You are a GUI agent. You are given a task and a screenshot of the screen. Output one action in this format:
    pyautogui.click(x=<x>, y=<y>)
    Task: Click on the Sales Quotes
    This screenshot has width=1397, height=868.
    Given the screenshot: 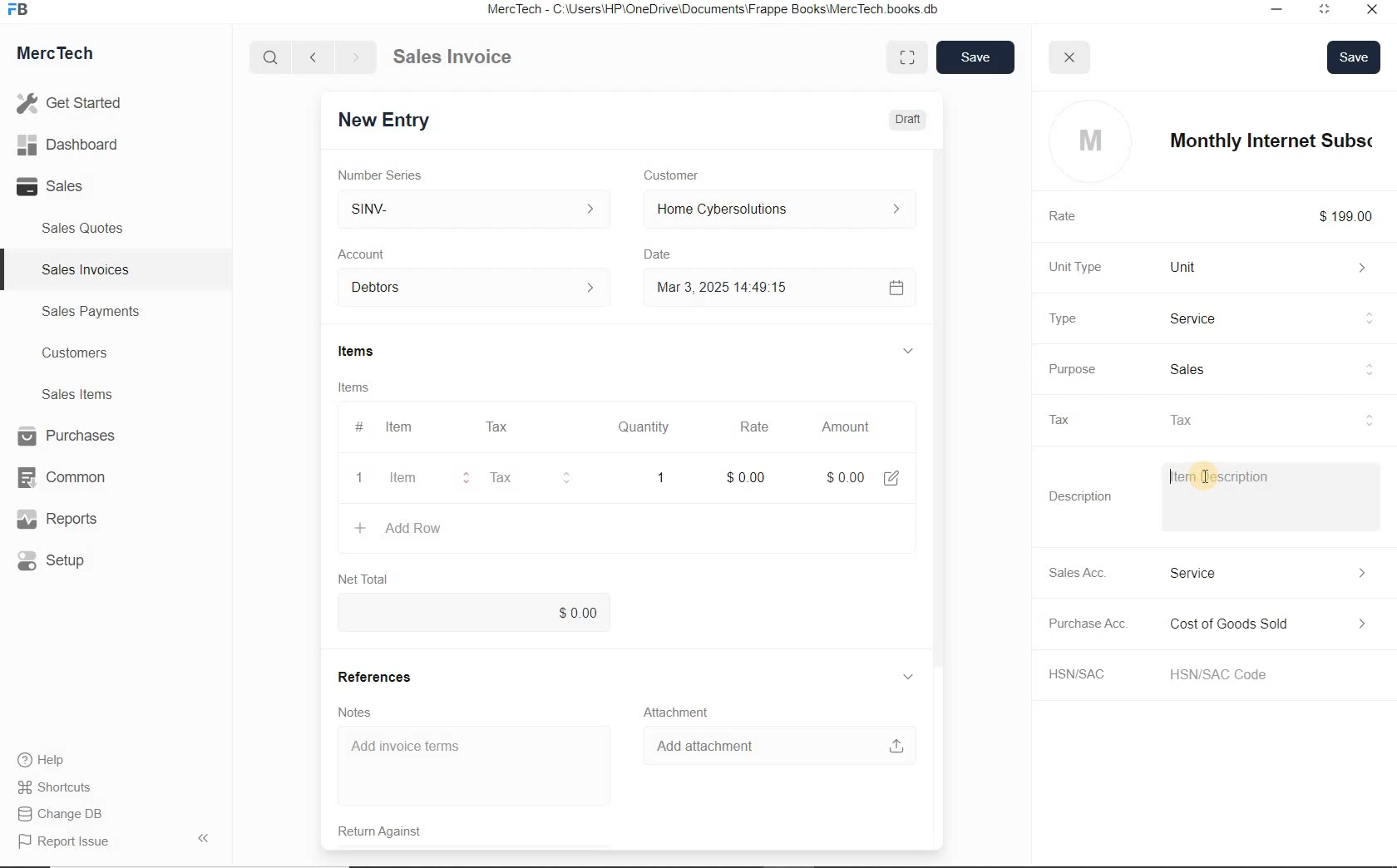 What is the action you would take?
    pyautogui.click(x=86, y=228)
    